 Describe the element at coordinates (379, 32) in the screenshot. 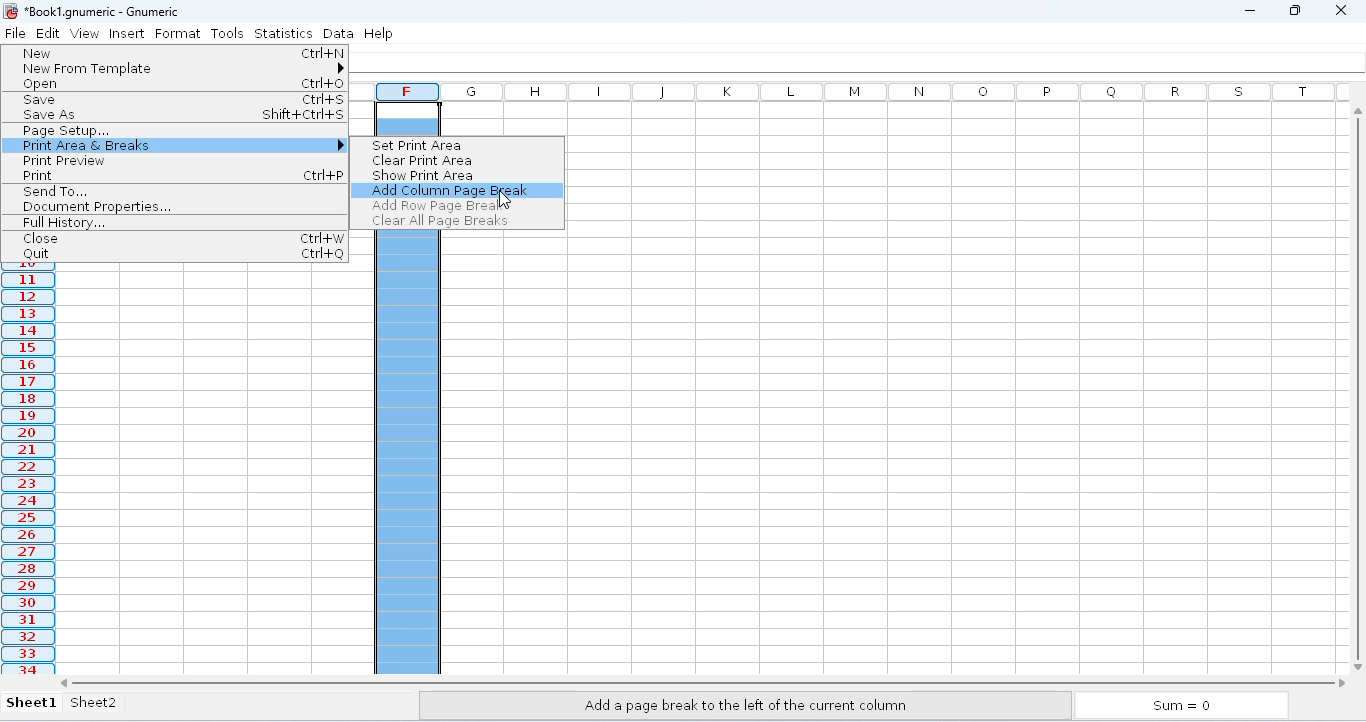

I see `help` at that location.